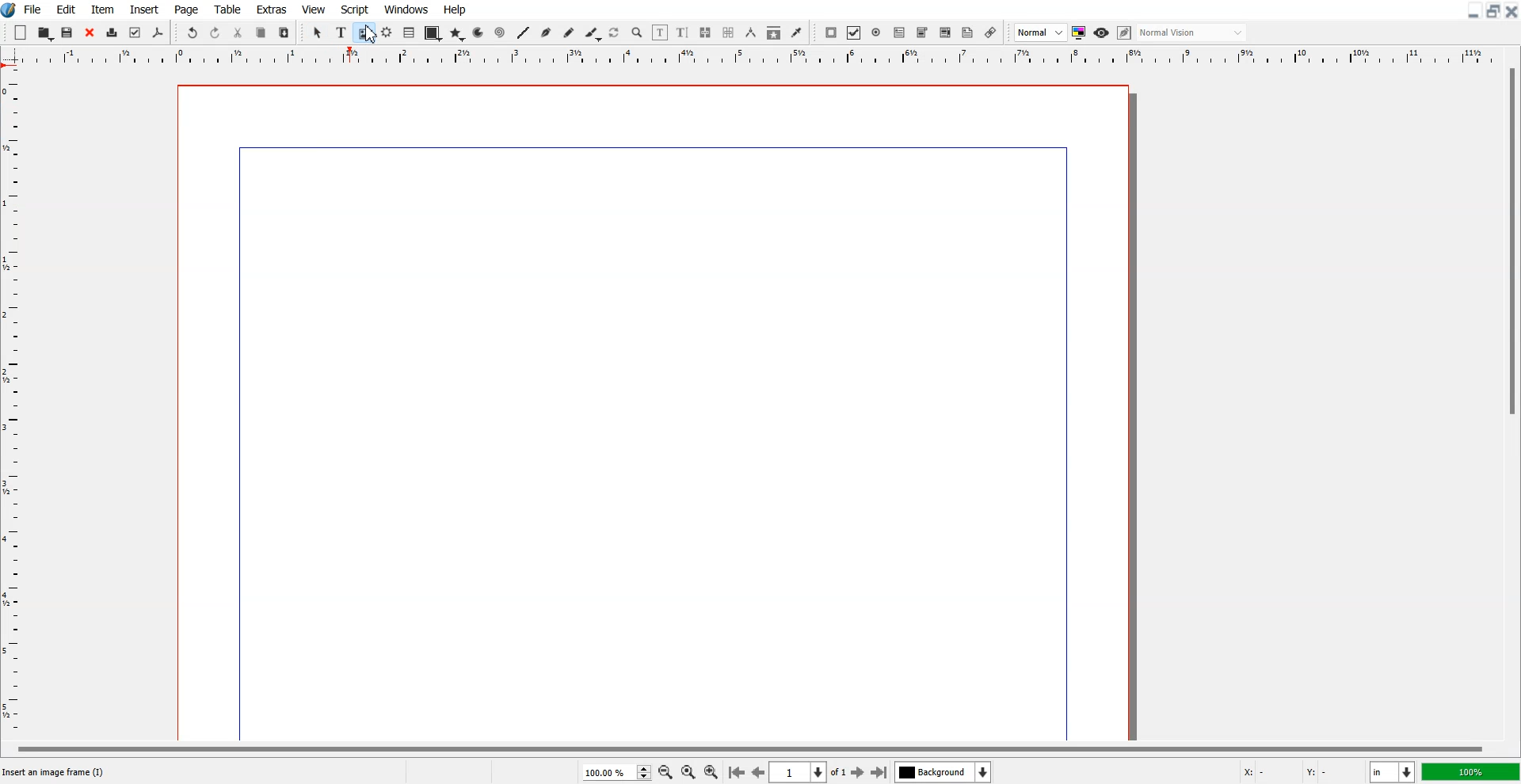  What do you see at coordinates (102, 9) in the screenshot?
I see `Item` at bounding box center [102, 9].